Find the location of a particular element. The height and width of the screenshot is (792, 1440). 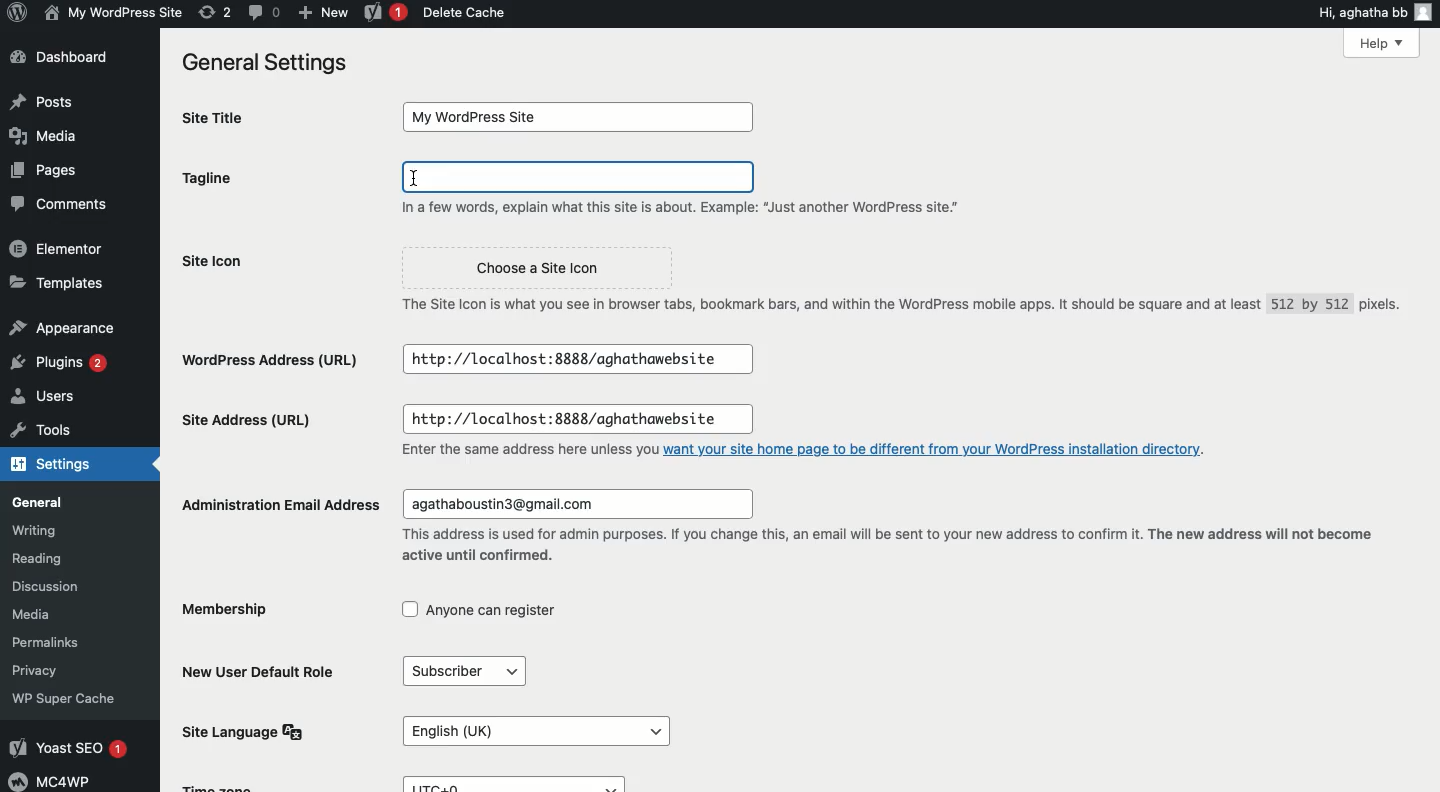

(2) Revisions is located at coordinates (212, 11).